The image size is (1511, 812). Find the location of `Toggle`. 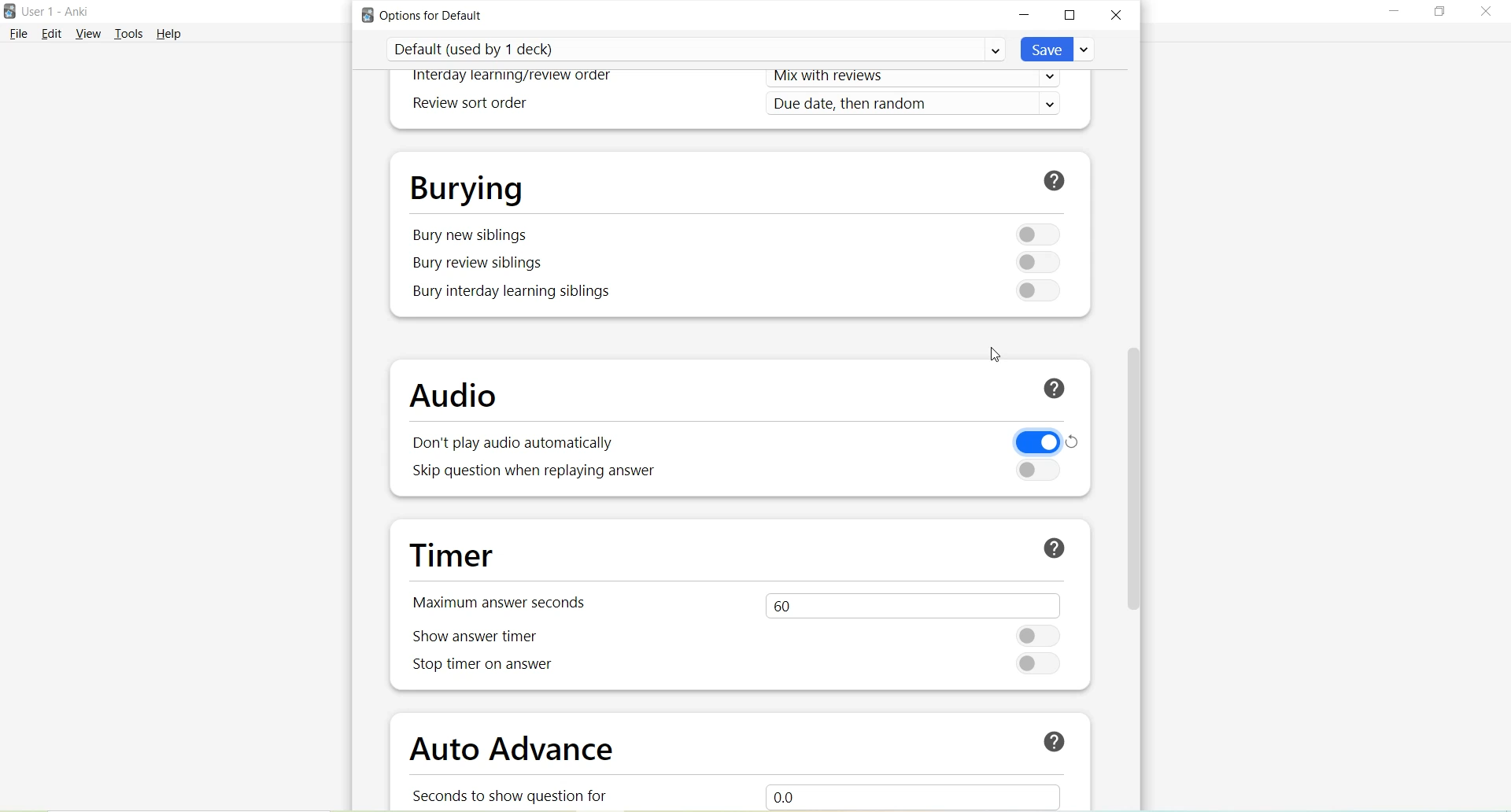

Toggle is located at coordinates (1042, 635).